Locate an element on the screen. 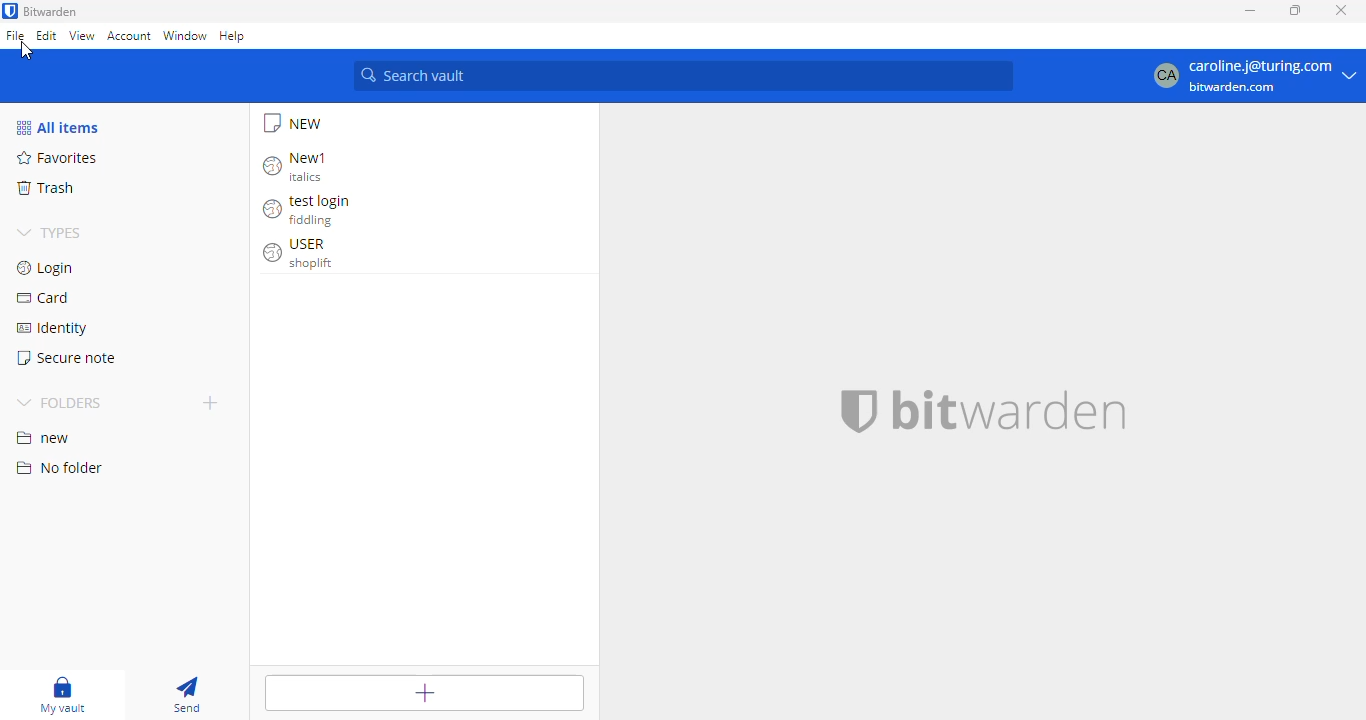  new is located at coordinates (42, 439).